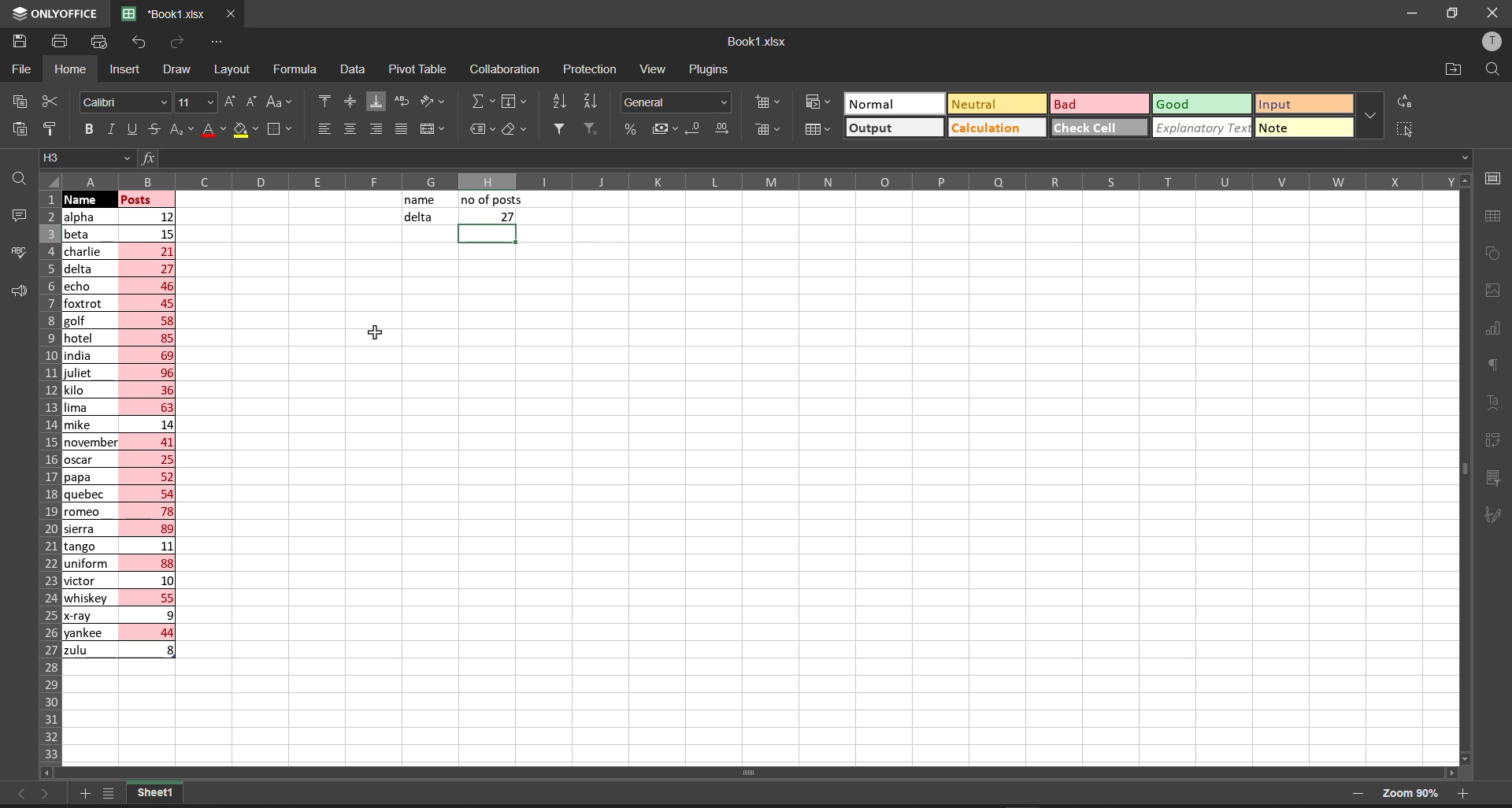 This screenshot has width=1512, height=808. Describe the element at coordinates (88, 129) in the screenshot. I see `bold` at that location.